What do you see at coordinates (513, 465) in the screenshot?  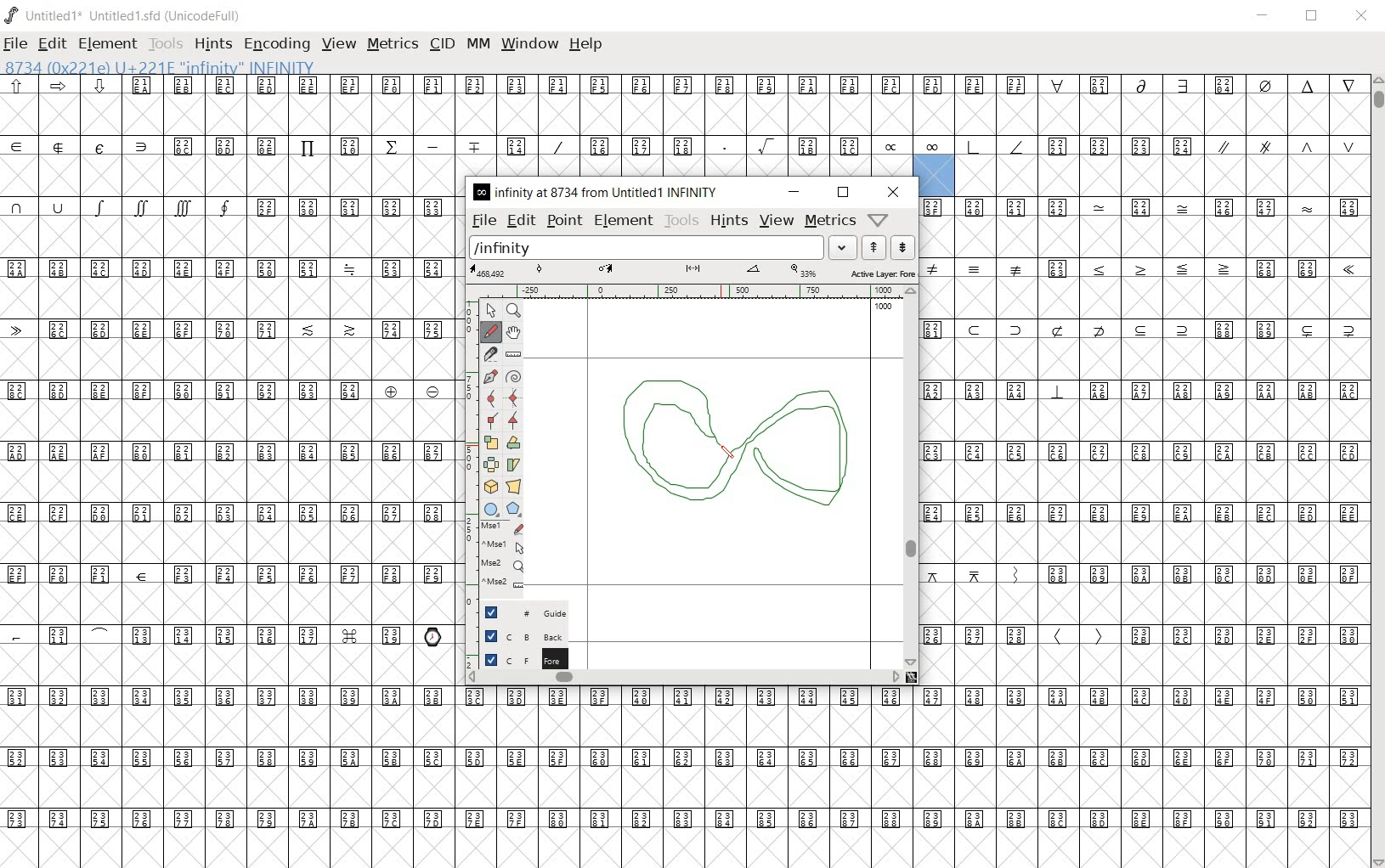 I see `skew the selection` at bounding box center [513, 465].